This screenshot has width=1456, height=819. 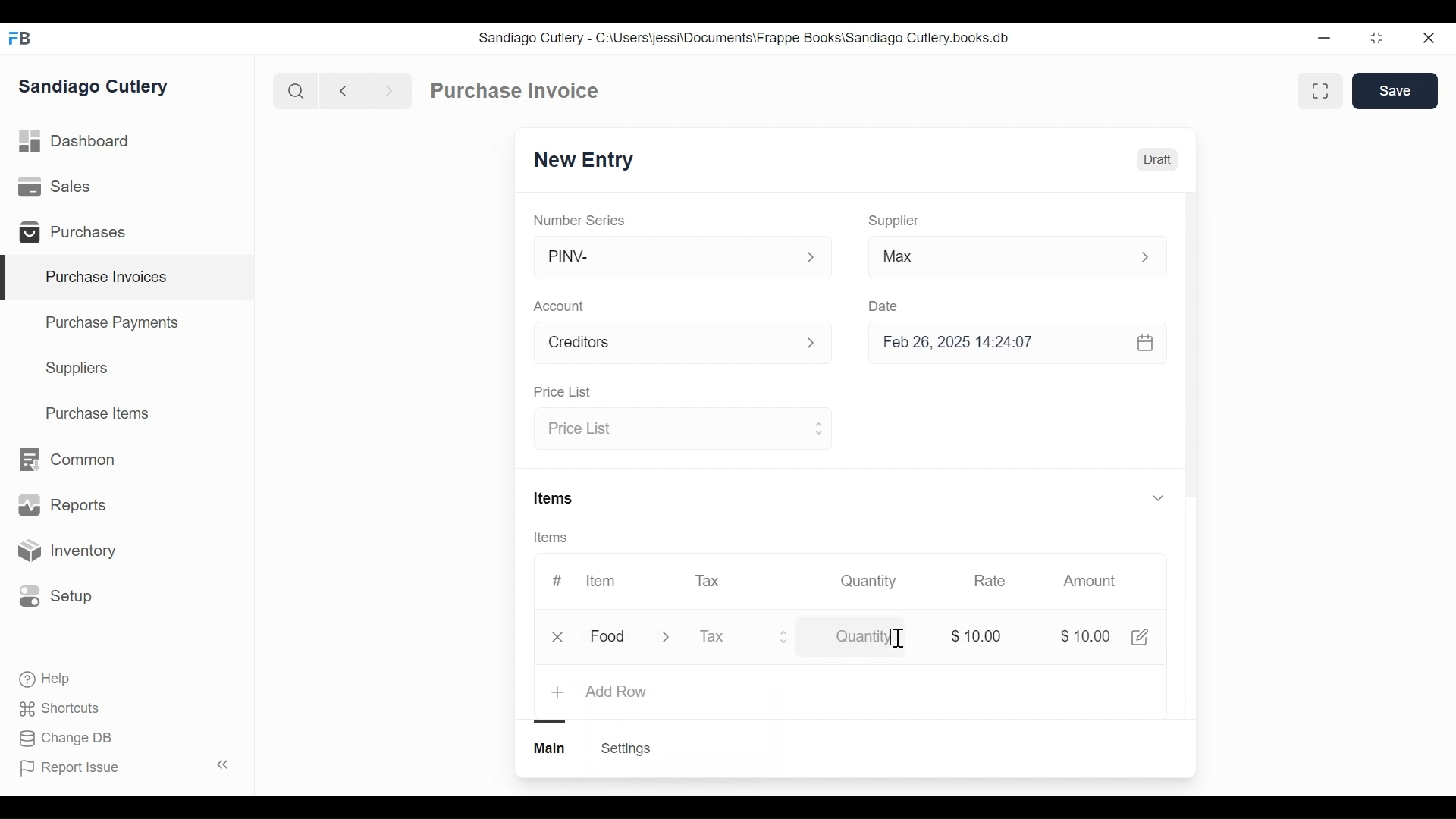 What do you see at coordinates (610, 638) in the screenshot?
I see `Food` at bounding box center [610, 638].